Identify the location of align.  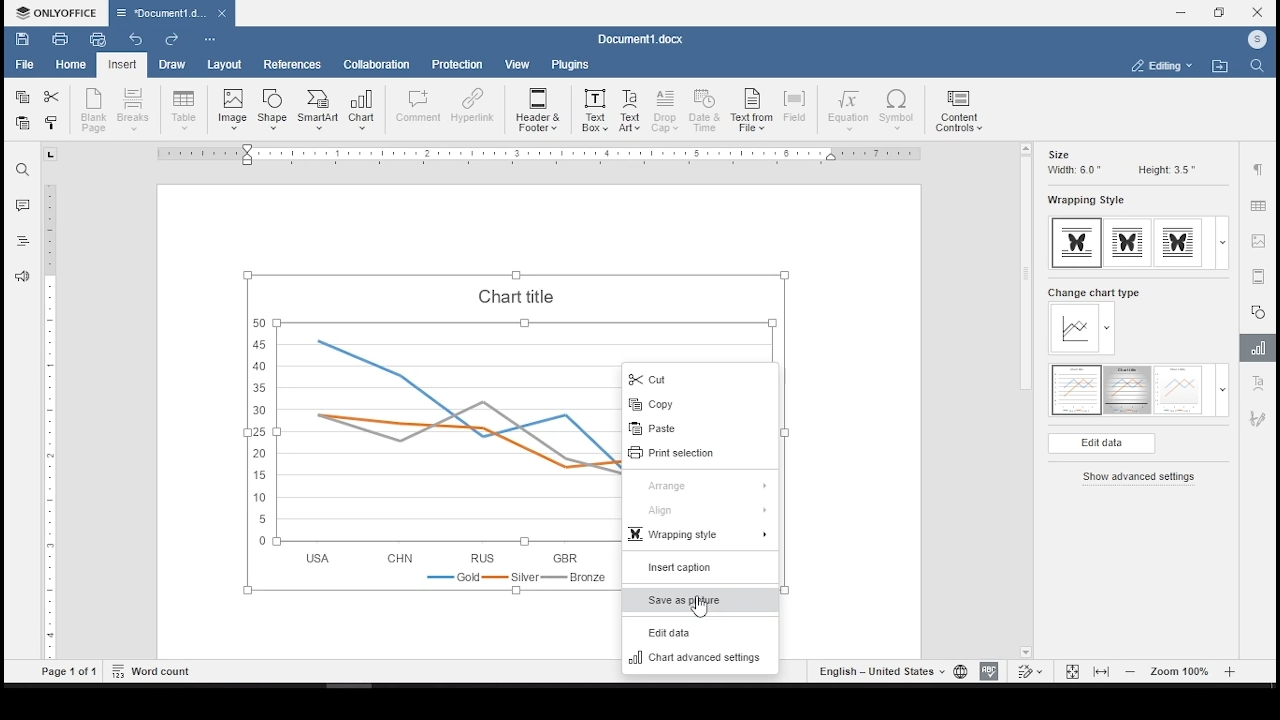
(700, 511).